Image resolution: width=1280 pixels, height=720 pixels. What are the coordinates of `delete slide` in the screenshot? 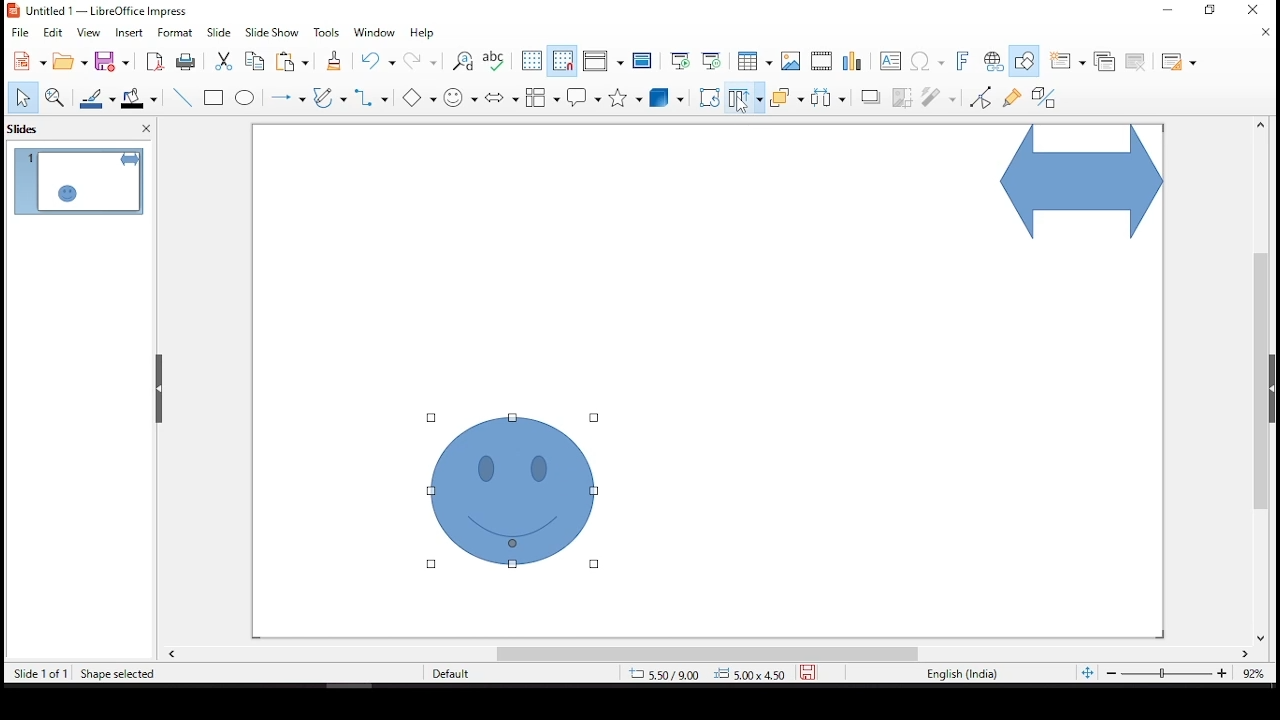 It's located at (1139, 62).